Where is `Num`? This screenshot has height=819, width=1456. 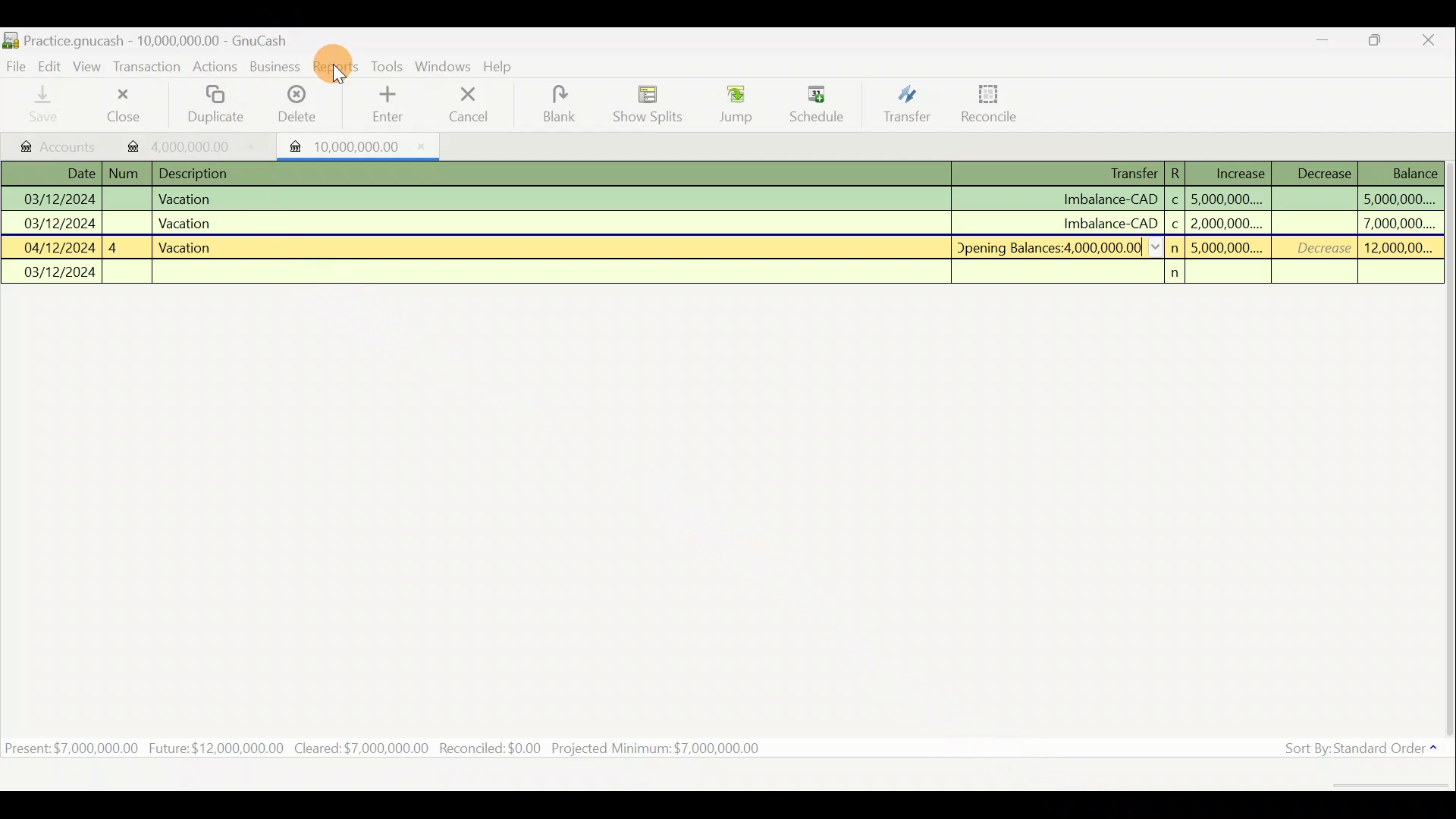 Num is located at coordinates (126, 174).